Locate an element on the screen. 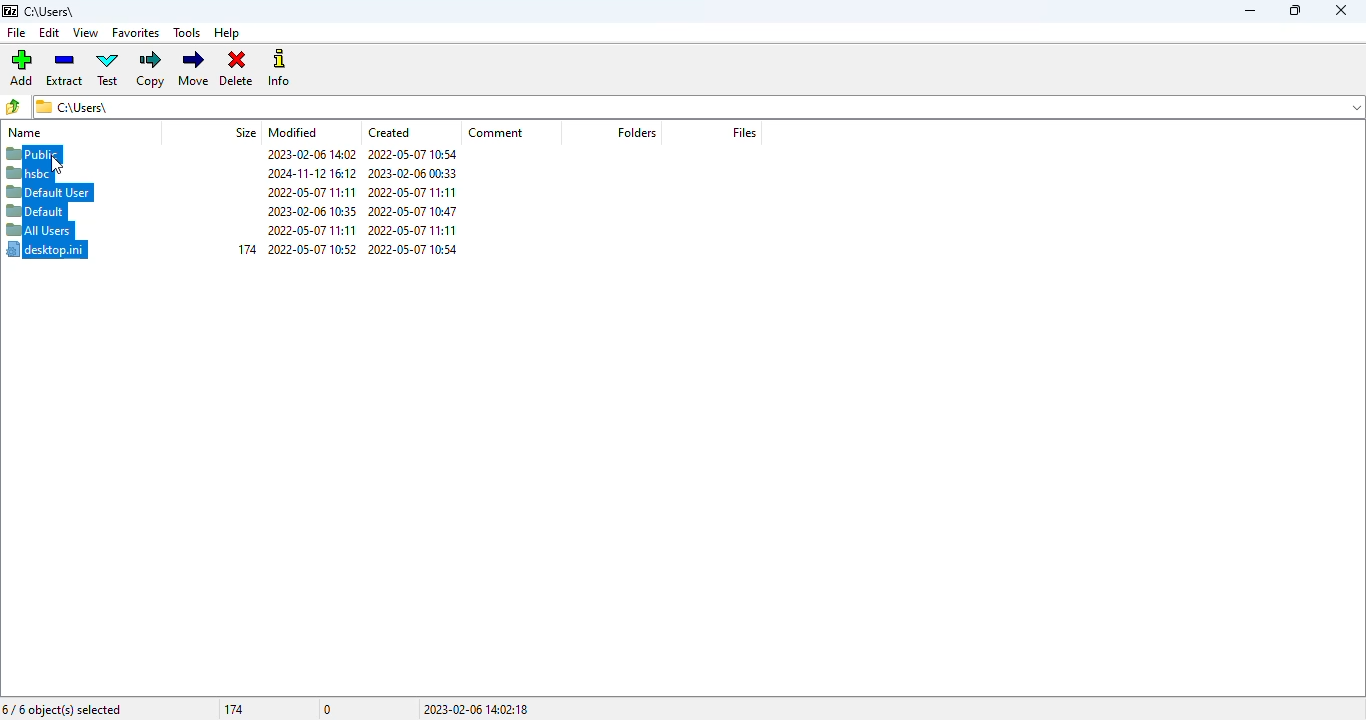 This screenshot has width=1366, height=720. 2024-11-12 16:12 is located at coordinates (302, 173).